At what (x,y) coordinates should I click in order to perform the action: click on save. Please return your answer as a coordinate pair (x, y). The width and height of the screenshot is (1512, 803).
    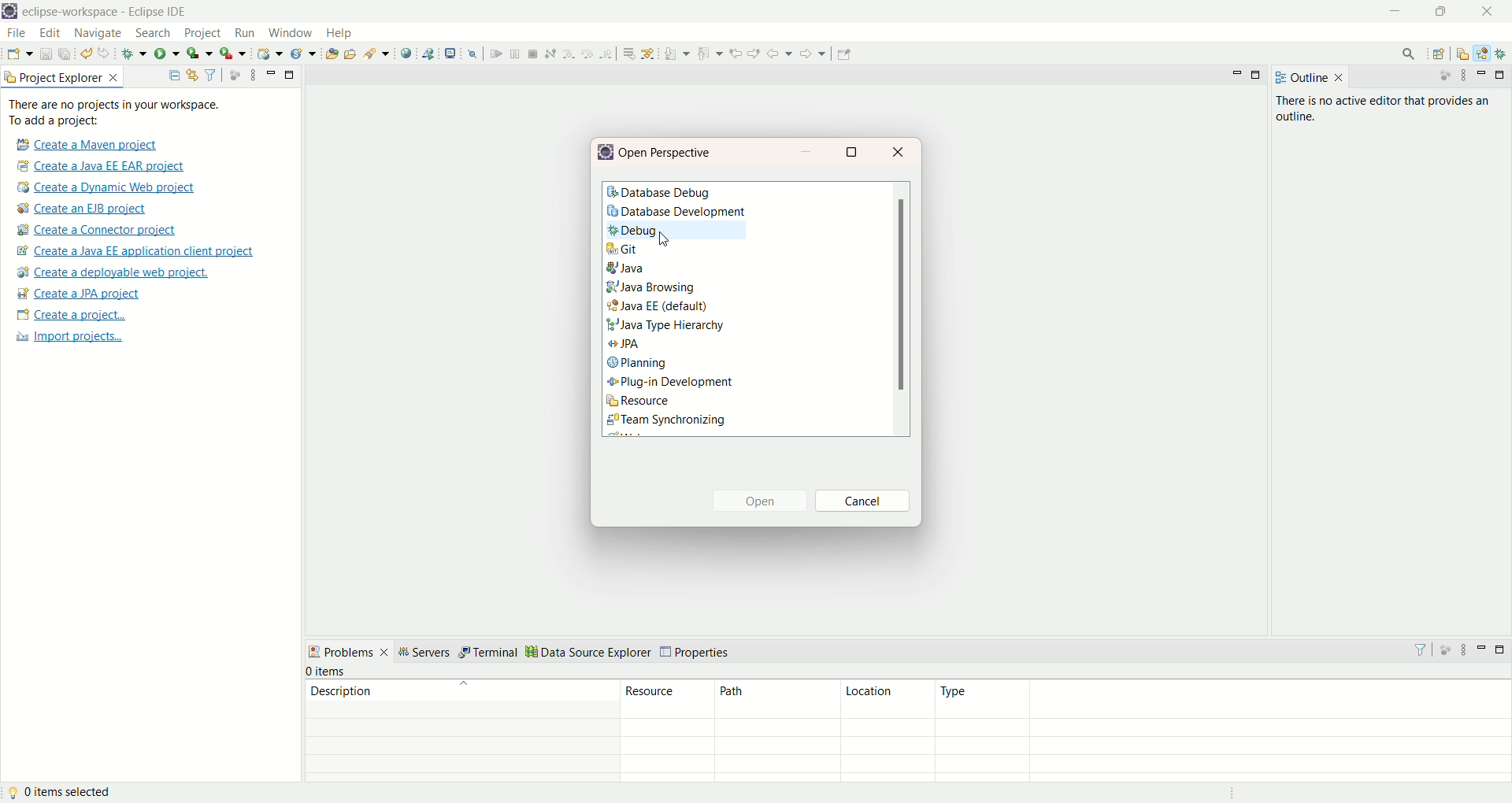
    Looking at the image, I should click on (43, 54).